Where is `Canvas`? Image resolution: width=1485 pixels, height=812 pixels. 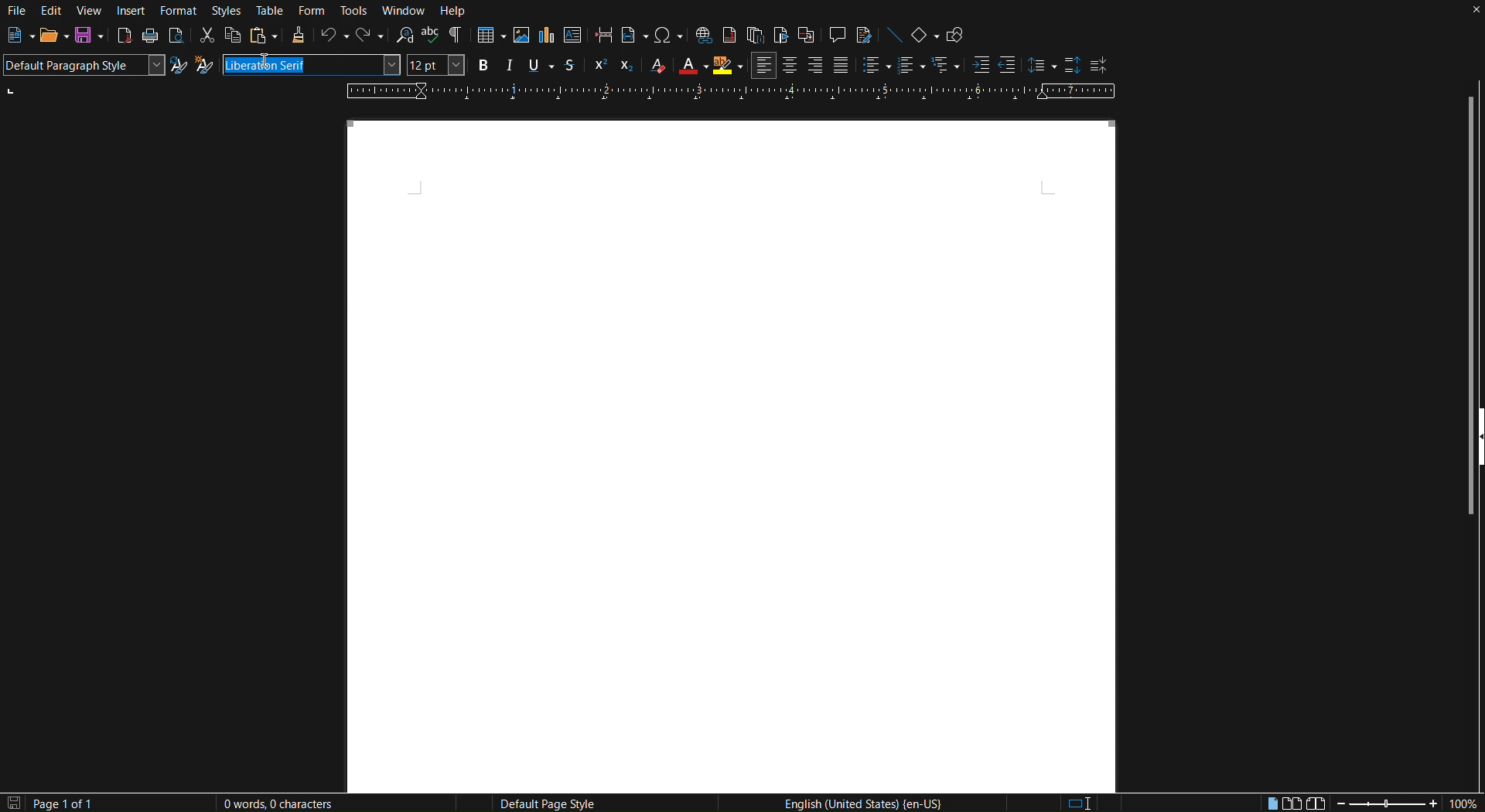
Canvas is located at coordinates (729, 453).